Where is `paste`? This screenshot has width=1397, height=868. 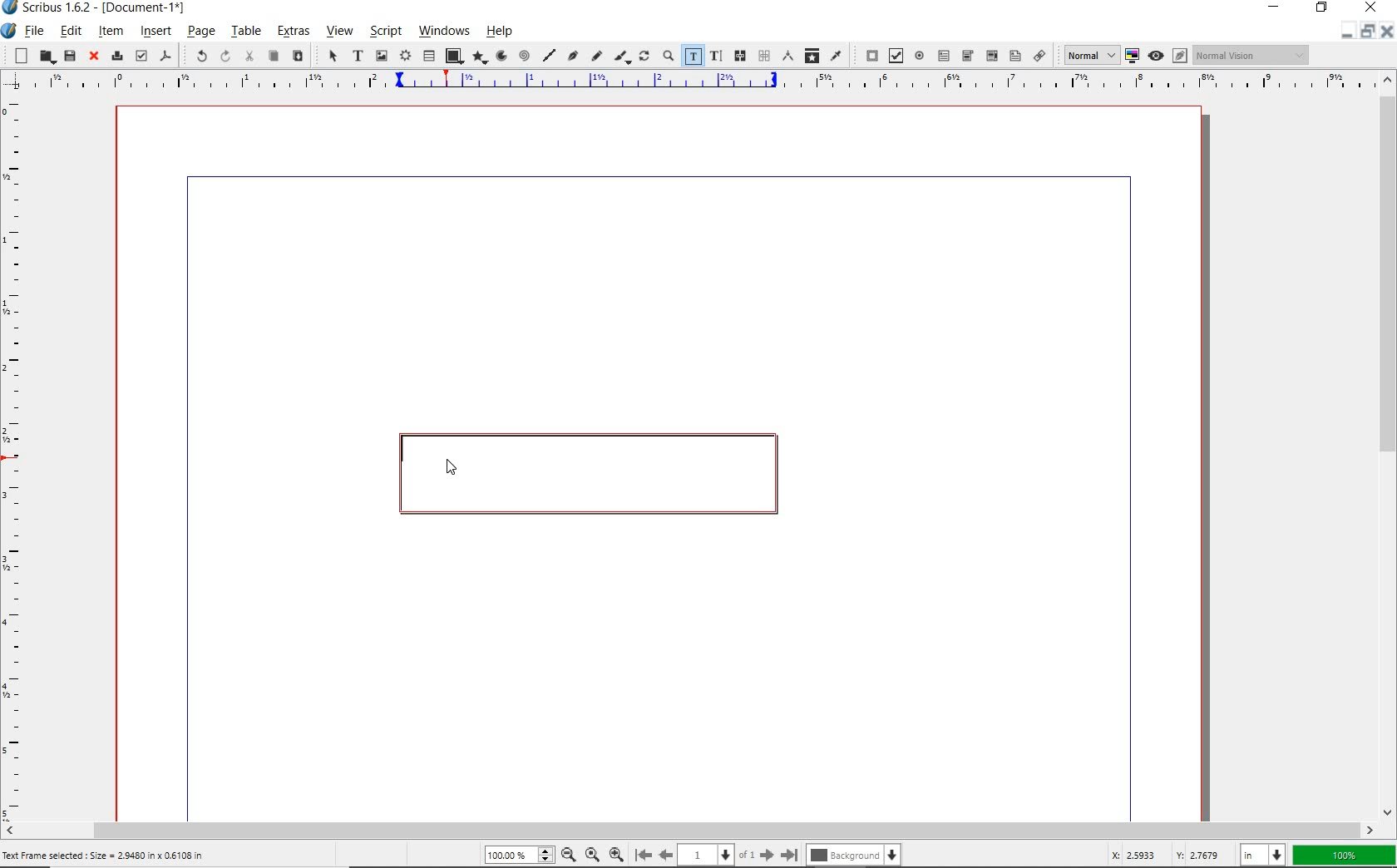 paste is located at coordinates (297, 57).